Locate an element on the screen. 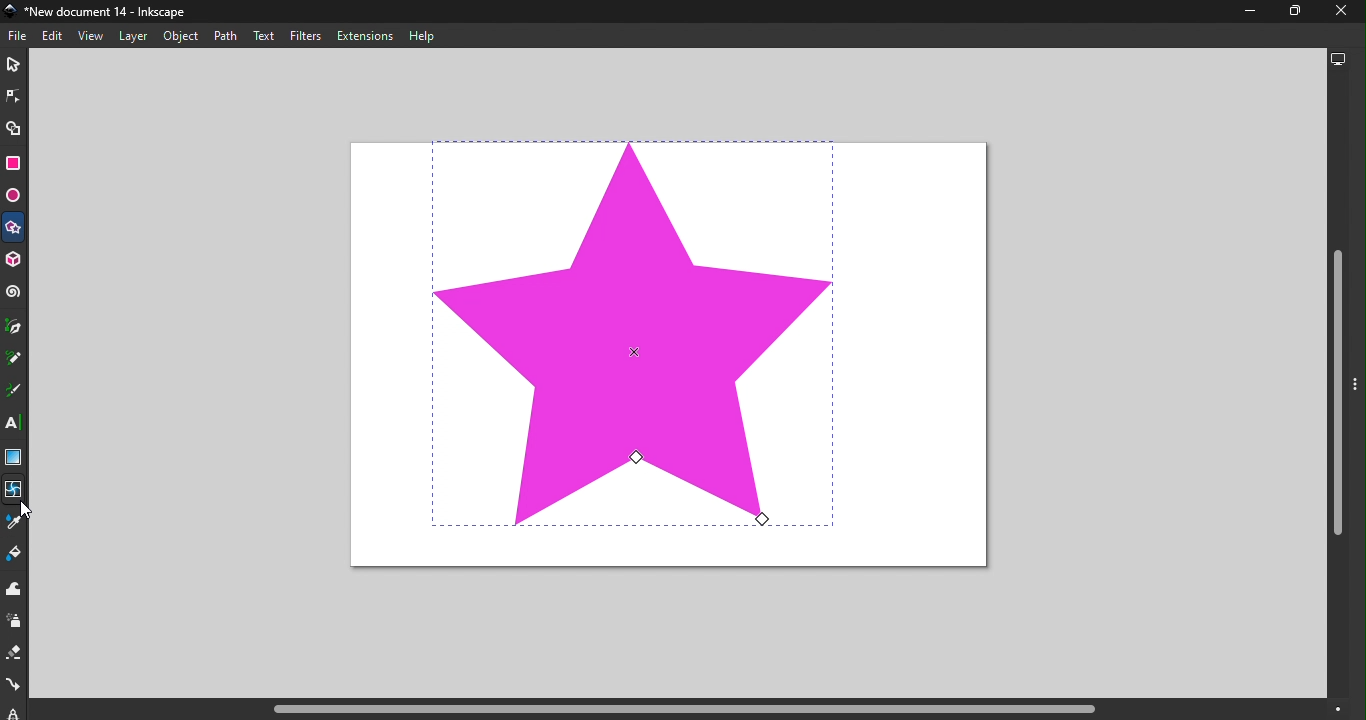 The height and width of the screenshot is (720, 1366). Display options is located at coordinates (1341, 60).